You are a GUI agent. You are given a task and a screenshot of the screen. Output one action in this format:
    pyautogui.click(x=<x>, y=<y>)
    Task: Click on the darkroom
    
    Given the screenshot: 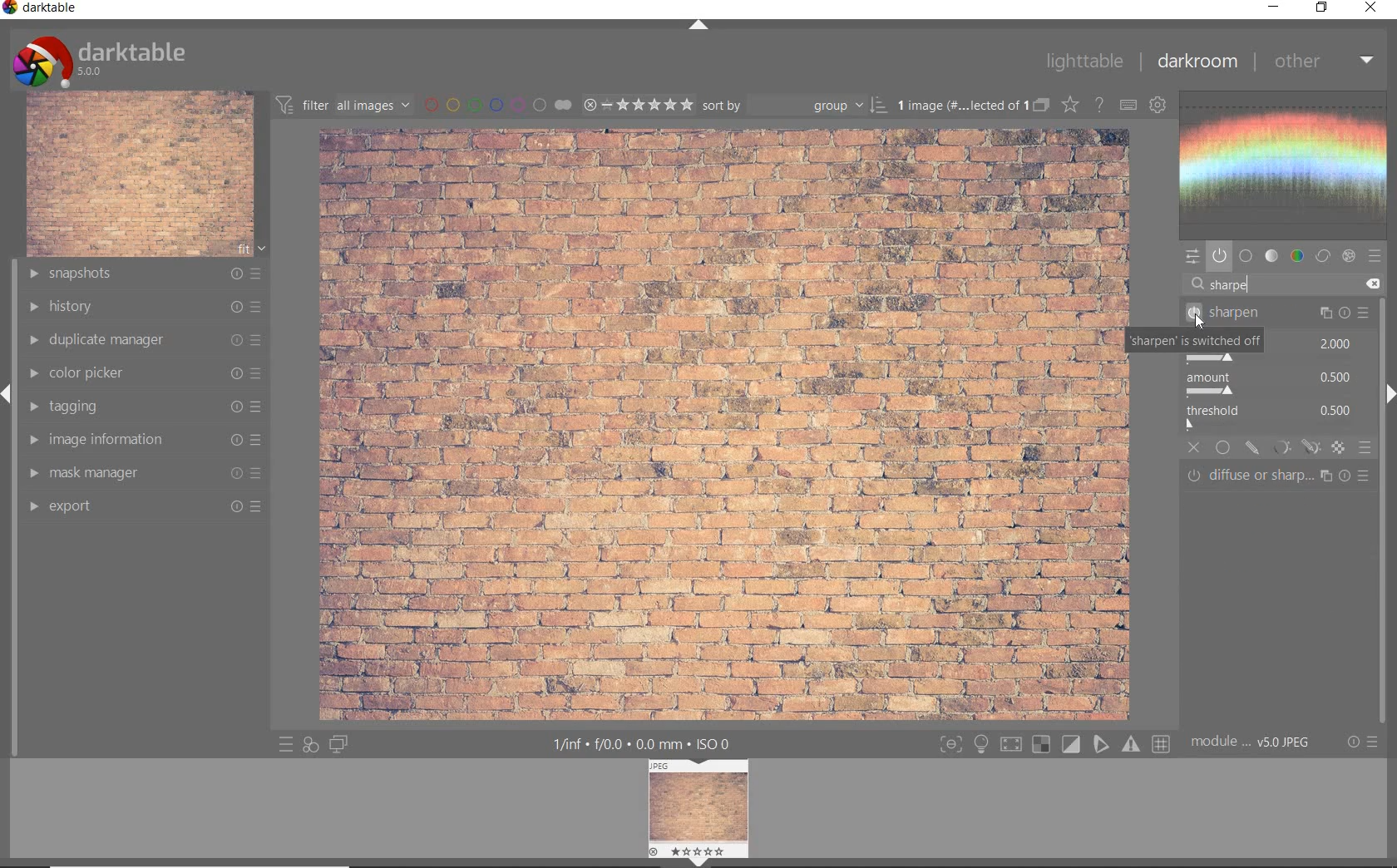 What is the action you would take?
    pyautogui.click(x=1197, y=62)
    